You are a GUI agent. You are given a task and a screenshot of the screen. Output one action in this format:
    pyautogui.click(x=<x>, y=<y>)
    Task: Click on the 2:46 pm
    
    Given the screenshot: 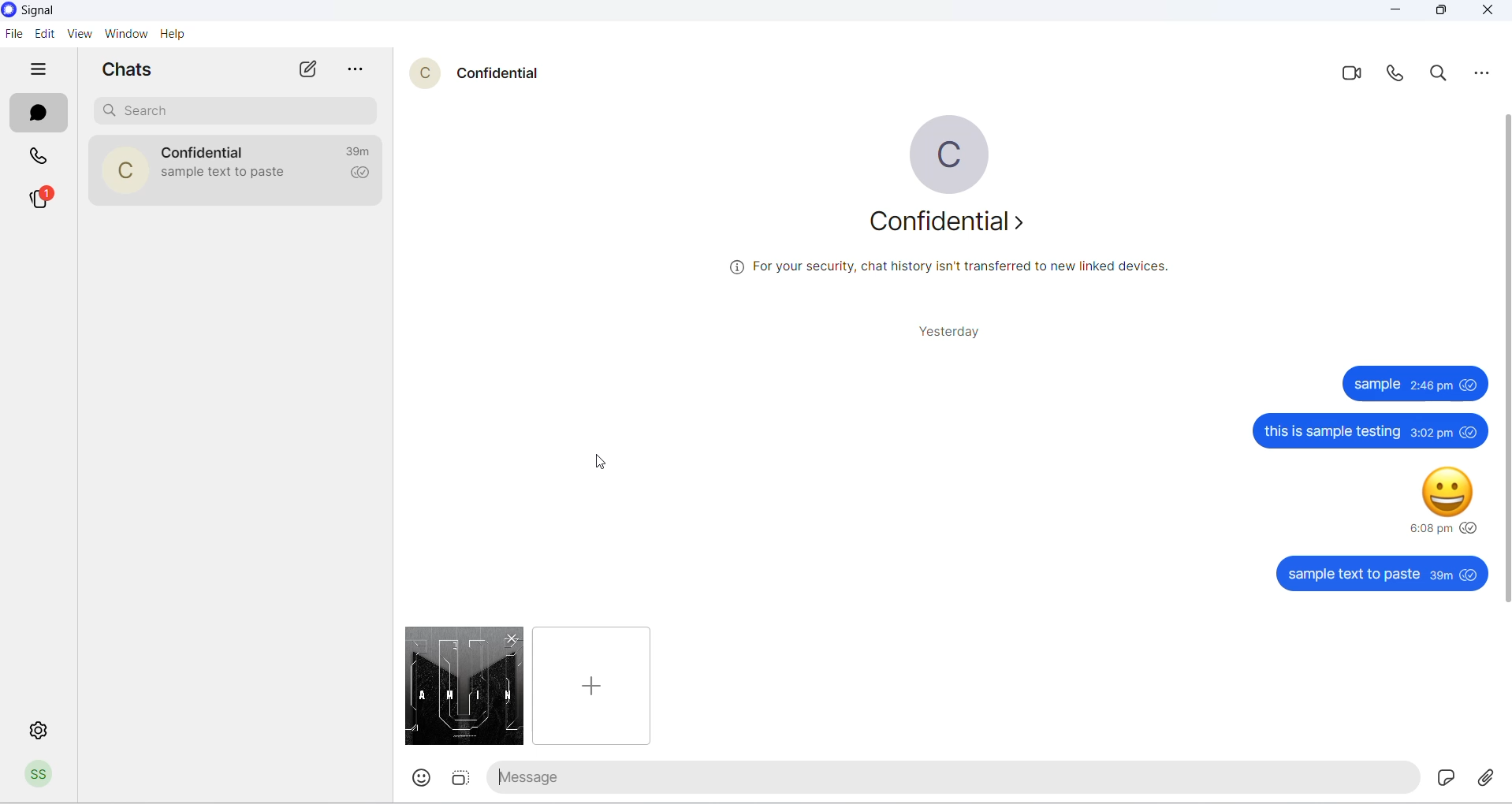 What is the action you would take?
    pyautogui.click(x=1432, y=386)
    